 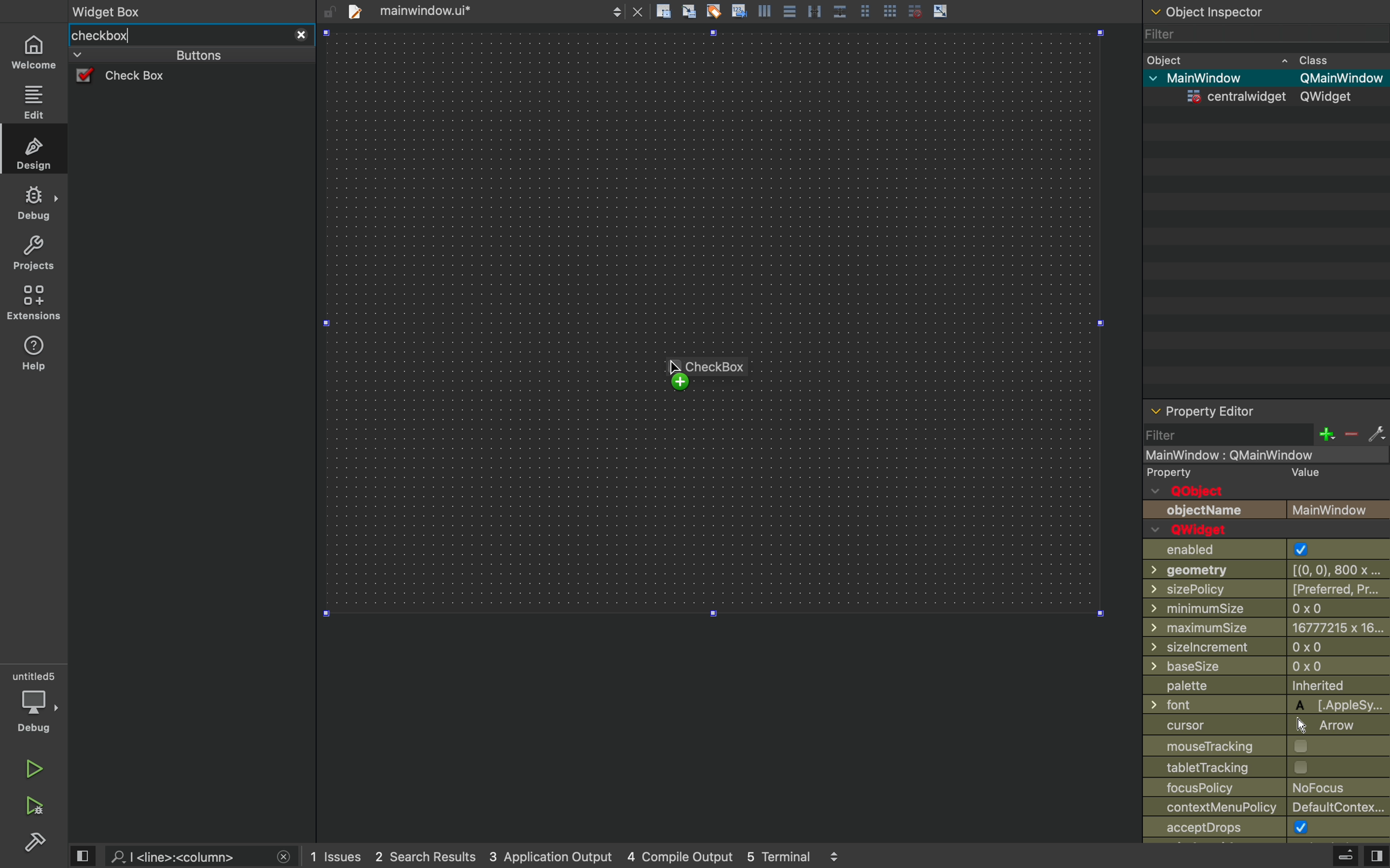 What do you see at coordinates (1306, 473) in the screenshot?
I see `Value` at bounding box center [1306, 473].